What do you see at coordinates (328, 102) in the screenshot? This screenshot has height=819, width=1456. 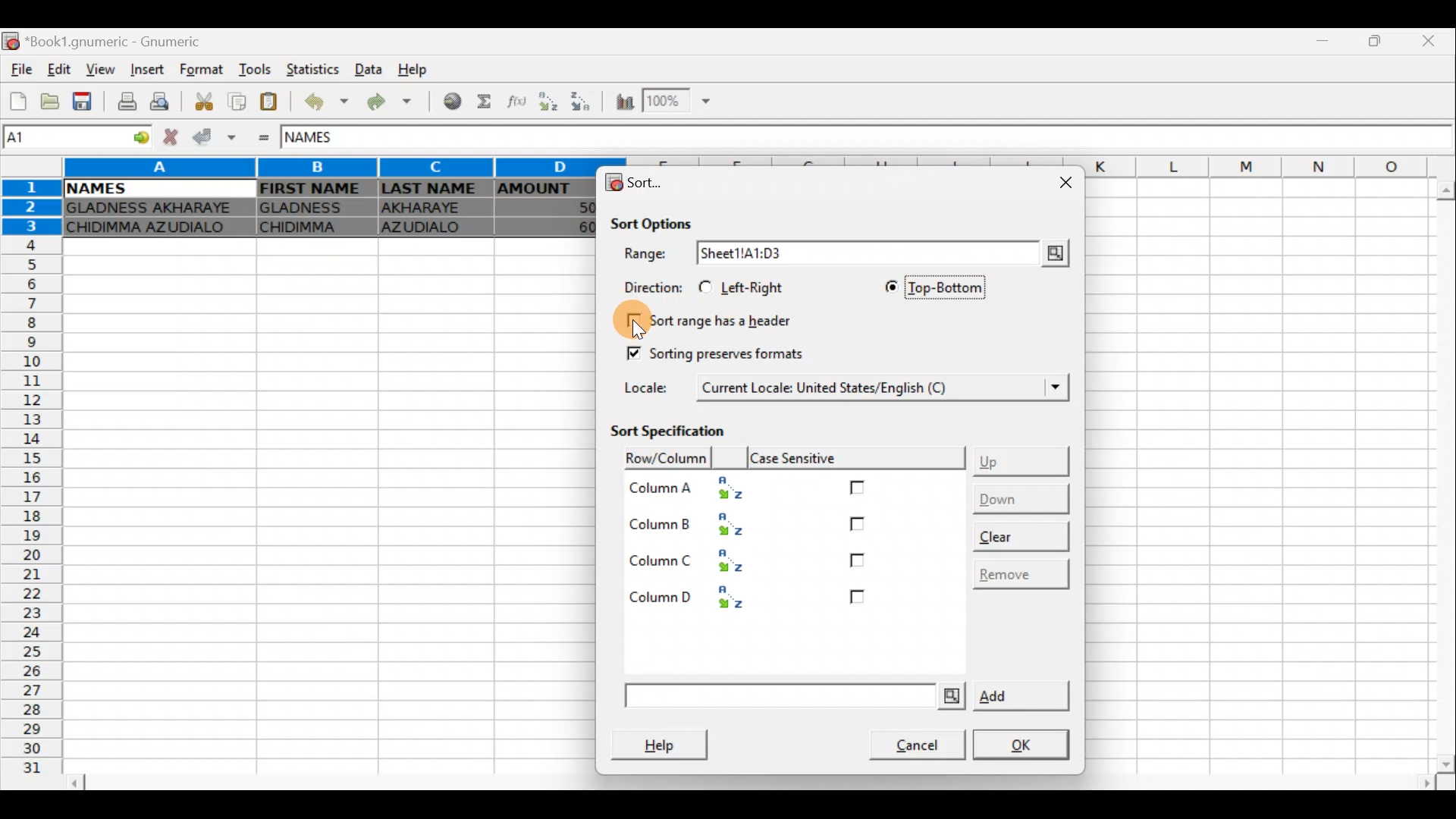 I see `Undo last action` at bounding box center [328, 102].